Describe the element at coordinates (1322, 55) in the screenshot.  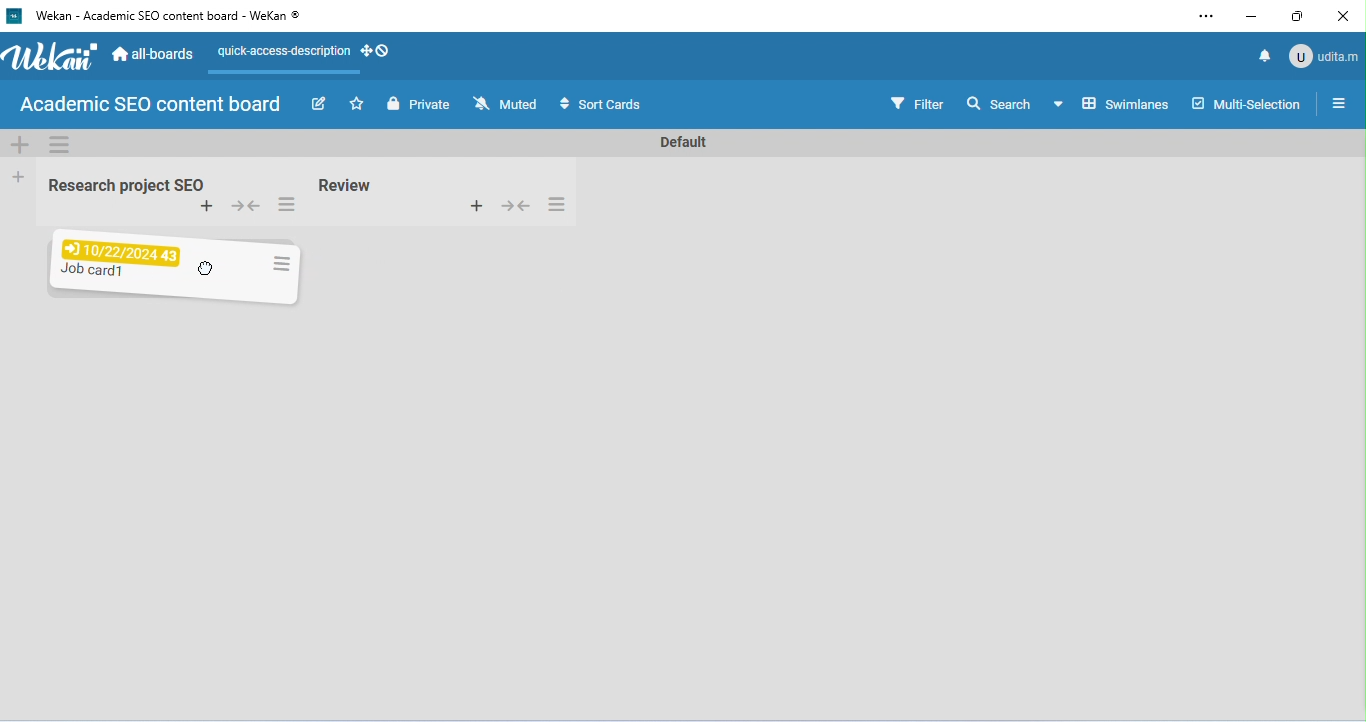
I see `admin` at that location.